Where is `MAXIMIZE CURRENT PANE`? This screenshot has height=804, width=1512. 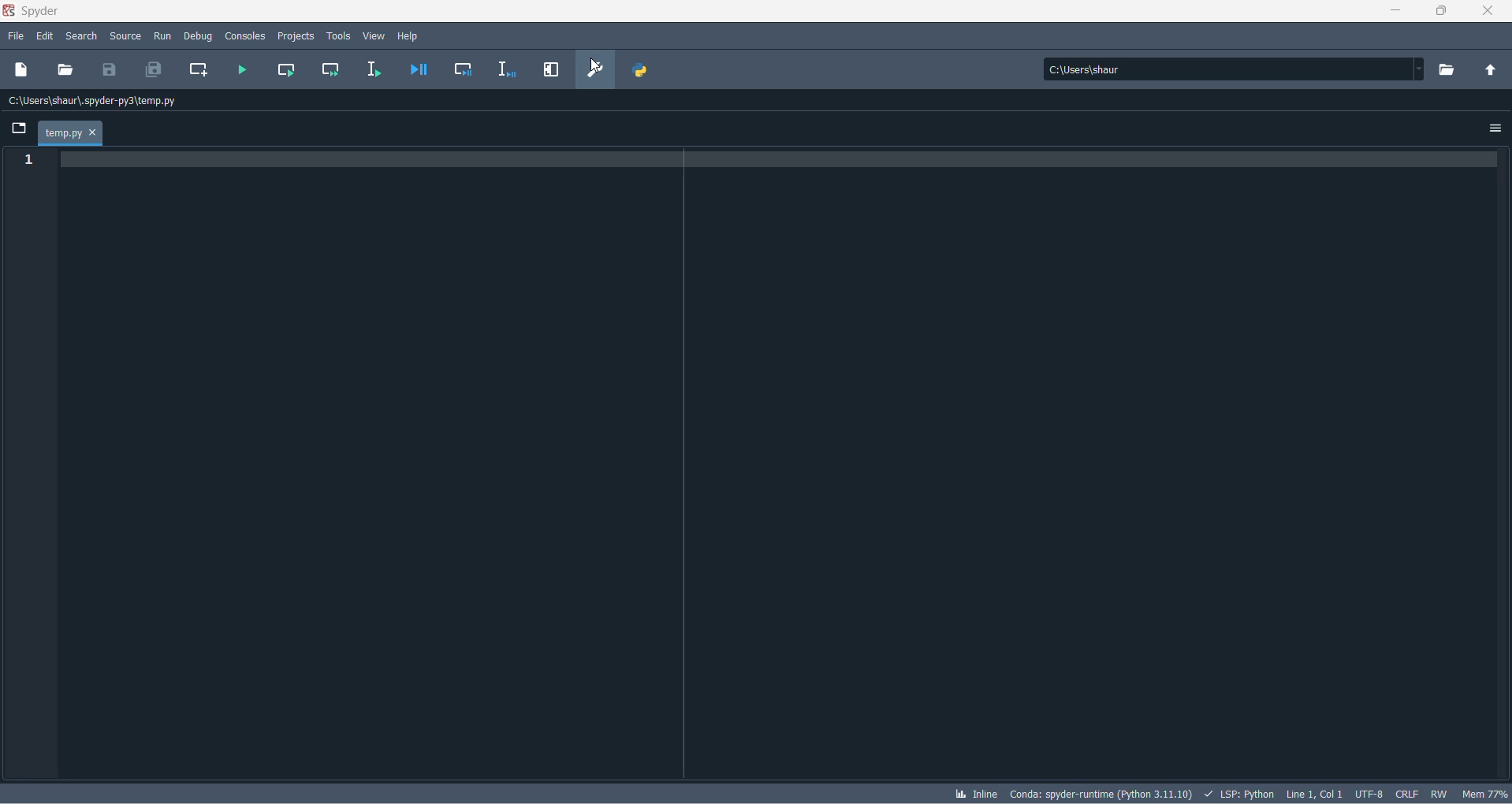
MAXIMIZE CURRENT PANE is located at coordinates (549, 71).